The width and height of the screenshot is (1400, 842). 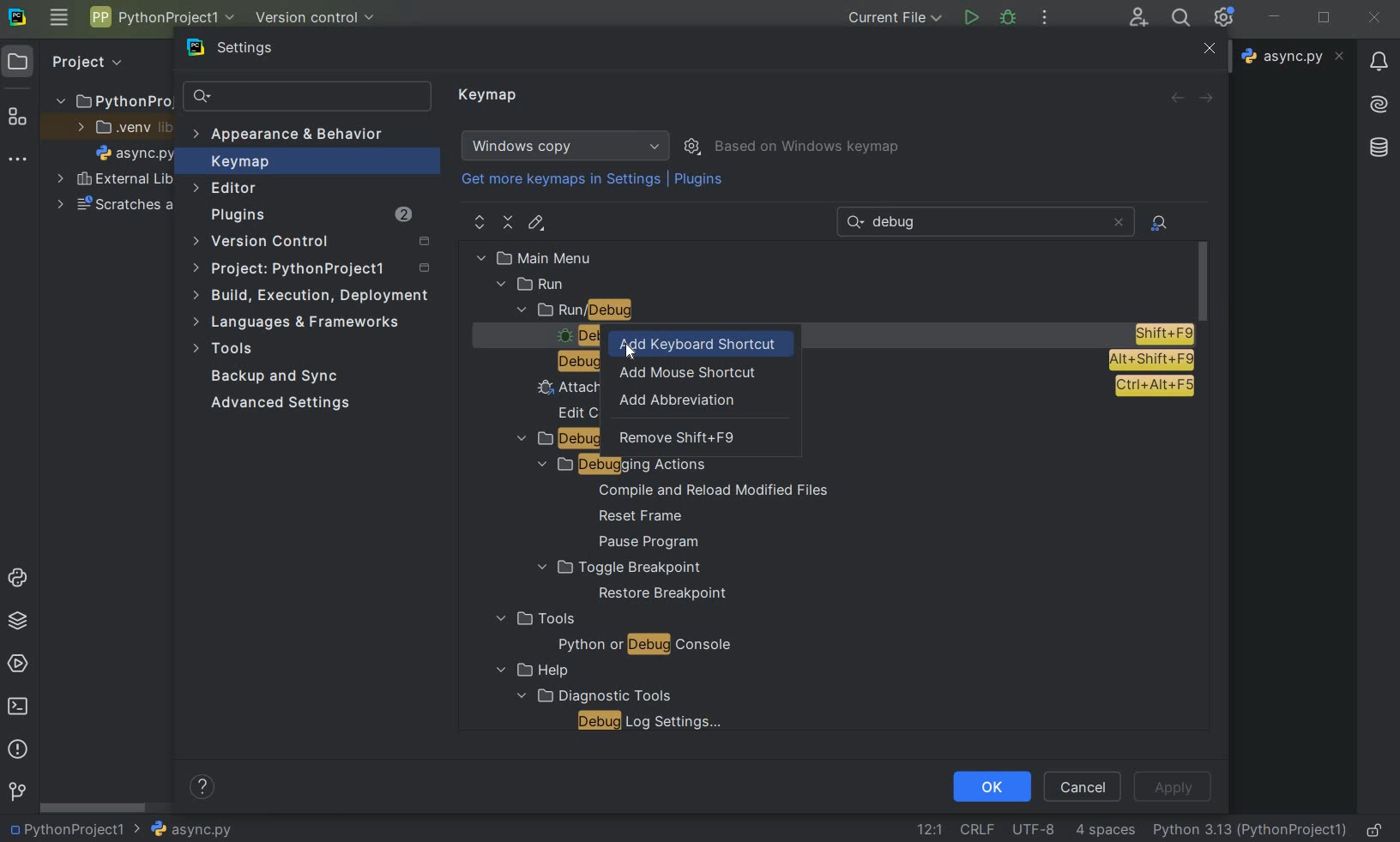 What do you see at coordinates (17, 792) in the screenshot?
I see `version control` at bounding box center [17, 792].